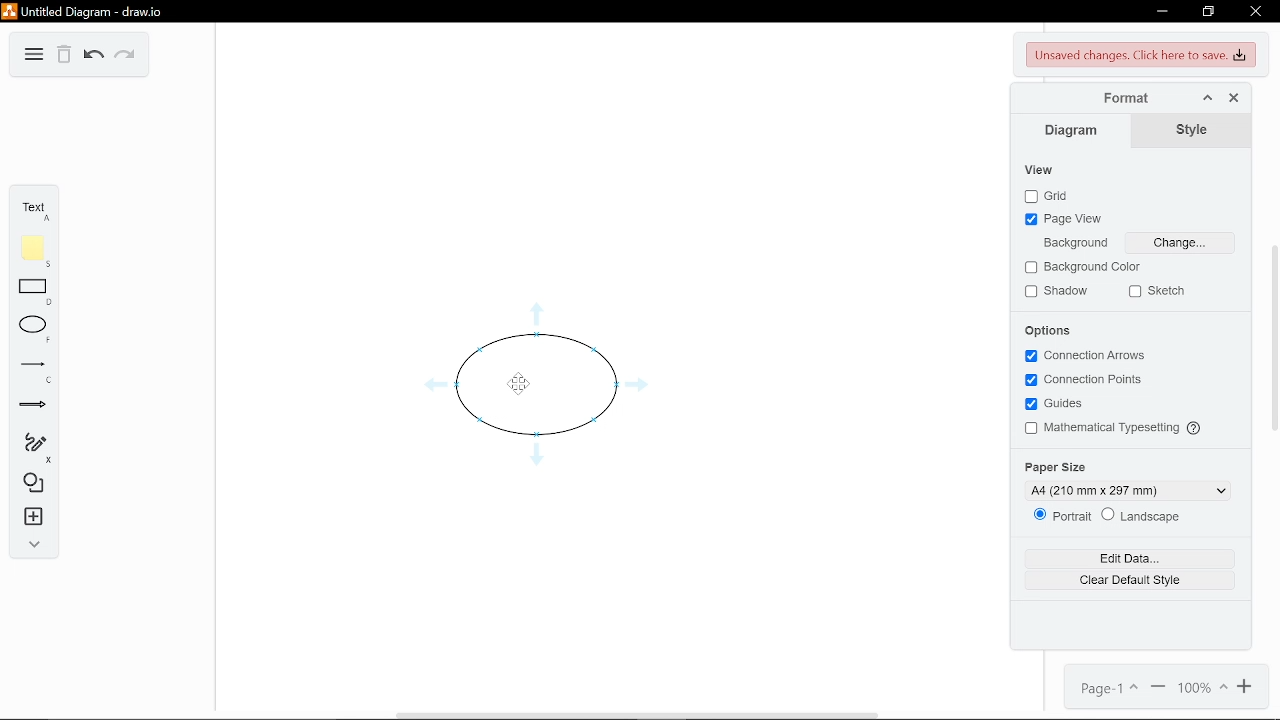  I want to click on Current paper size, so click(1129, 492).